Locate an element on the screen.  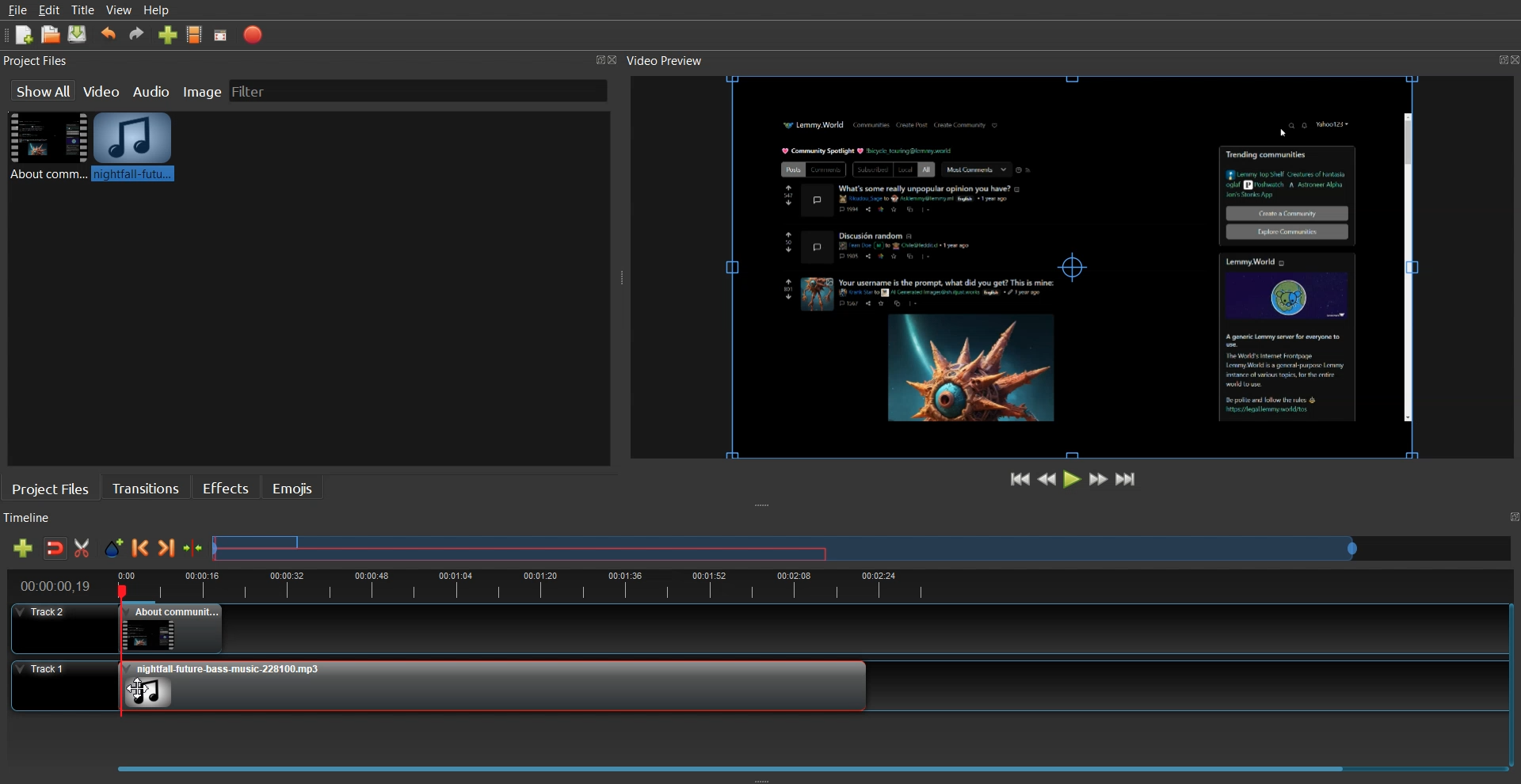
Selected files is located at coordinates (527, 543).